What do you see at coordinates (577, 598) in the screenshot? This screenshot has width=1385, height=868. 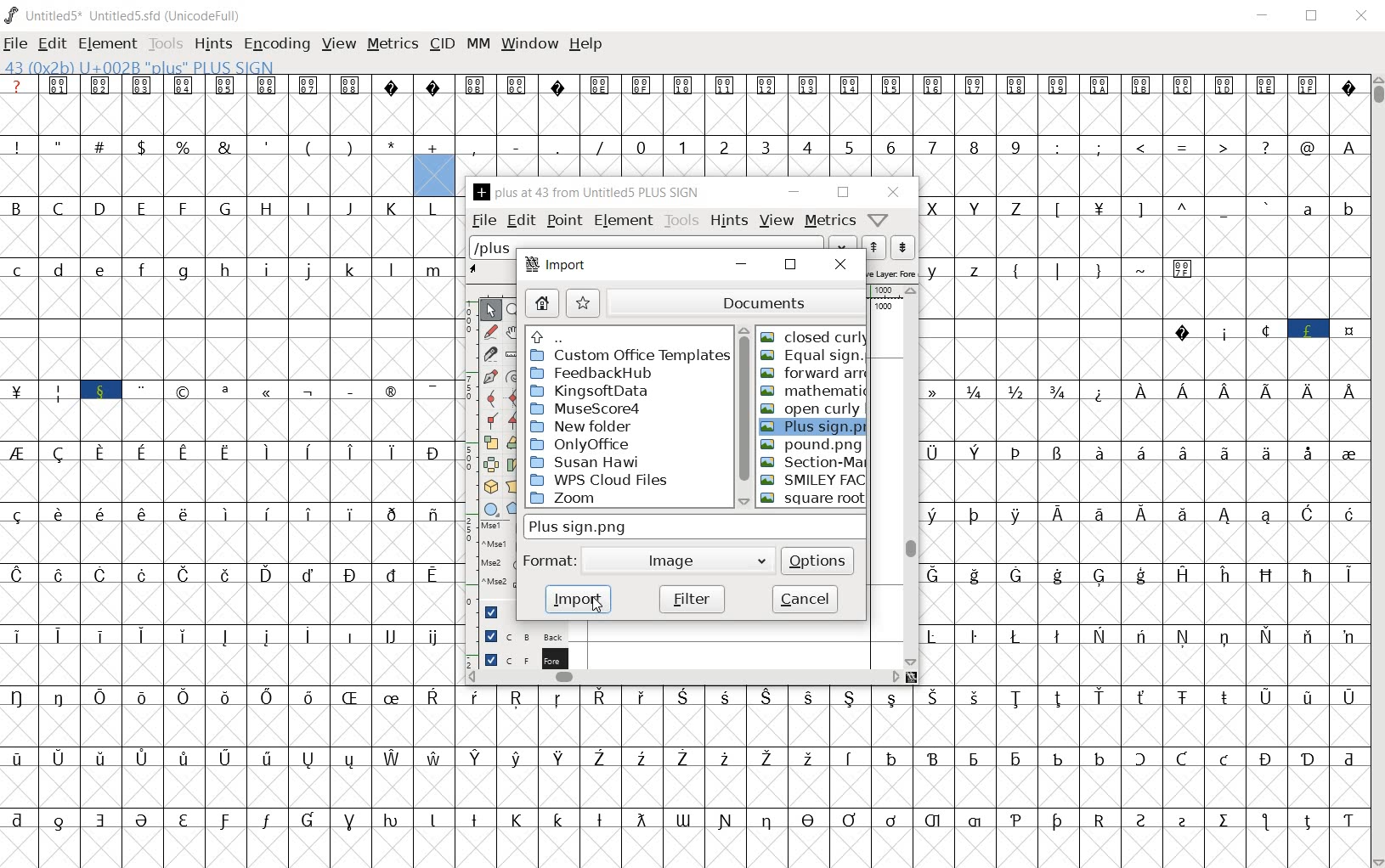 I see `import` at bounding box center [577, 598].